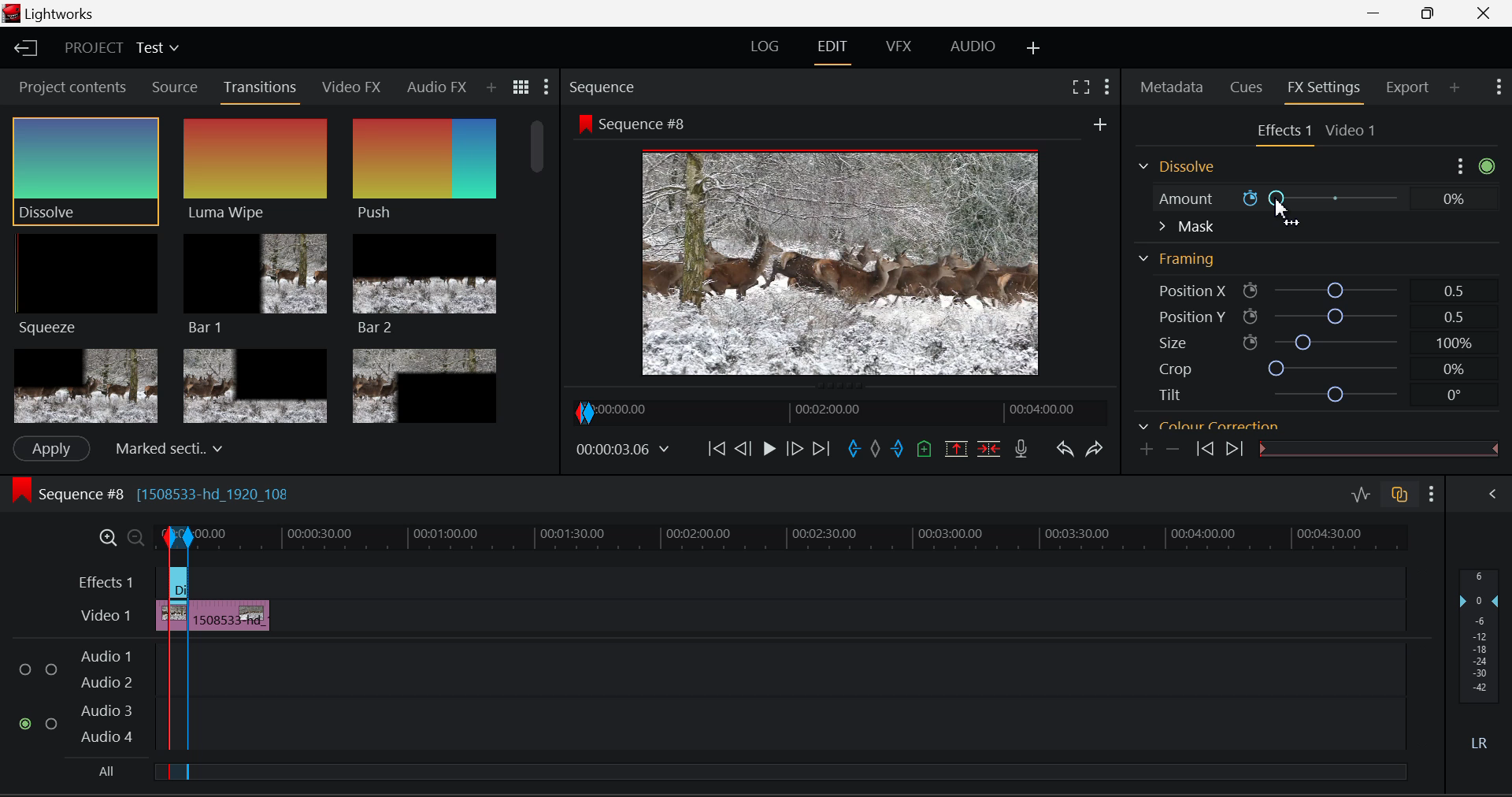 The image size is (1512, 797). I want to click on Add Panel, so click(1455, 88).